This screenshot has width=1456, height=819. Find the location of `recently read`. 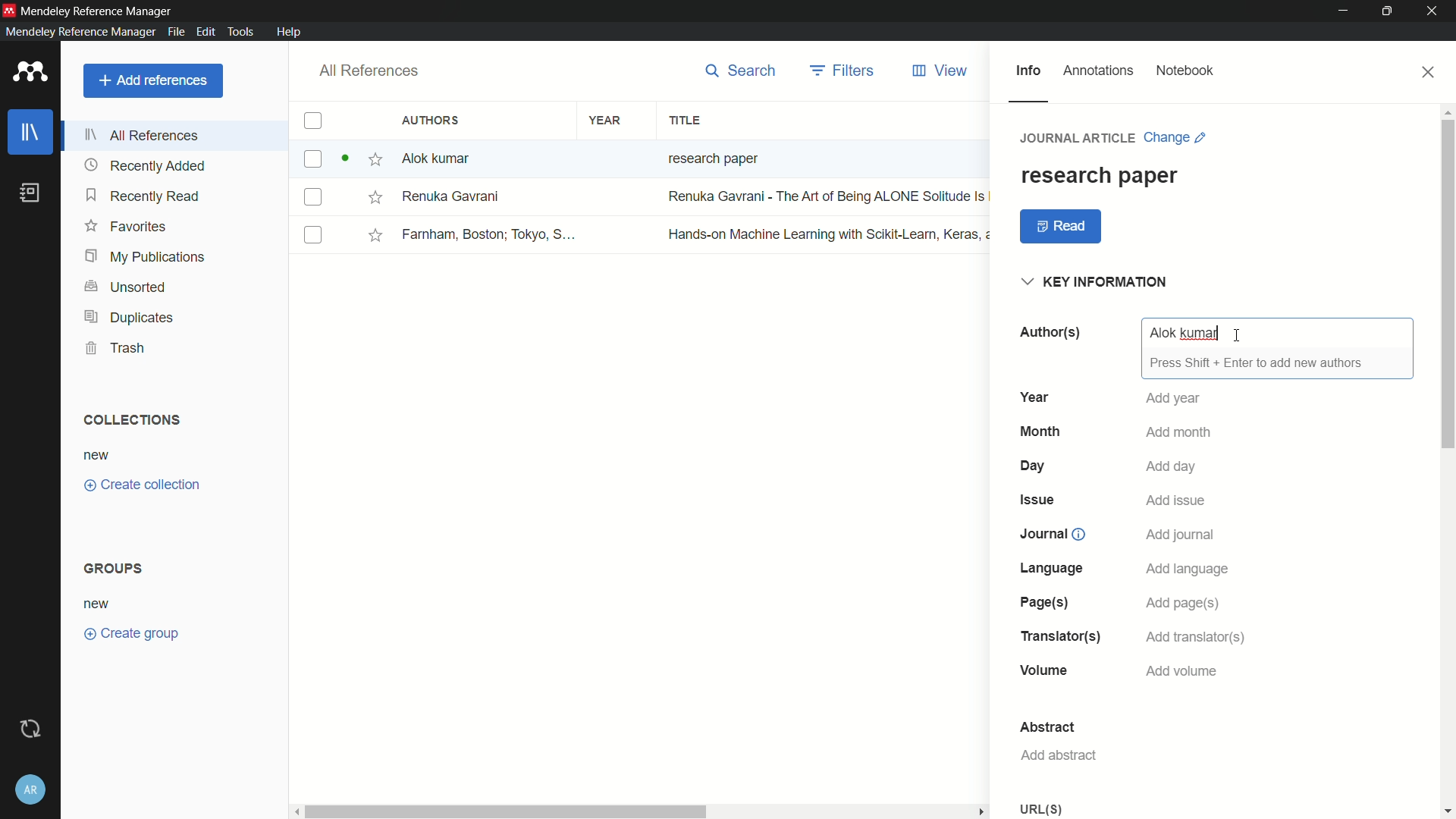

recently read is located at coordinates (143, 195).